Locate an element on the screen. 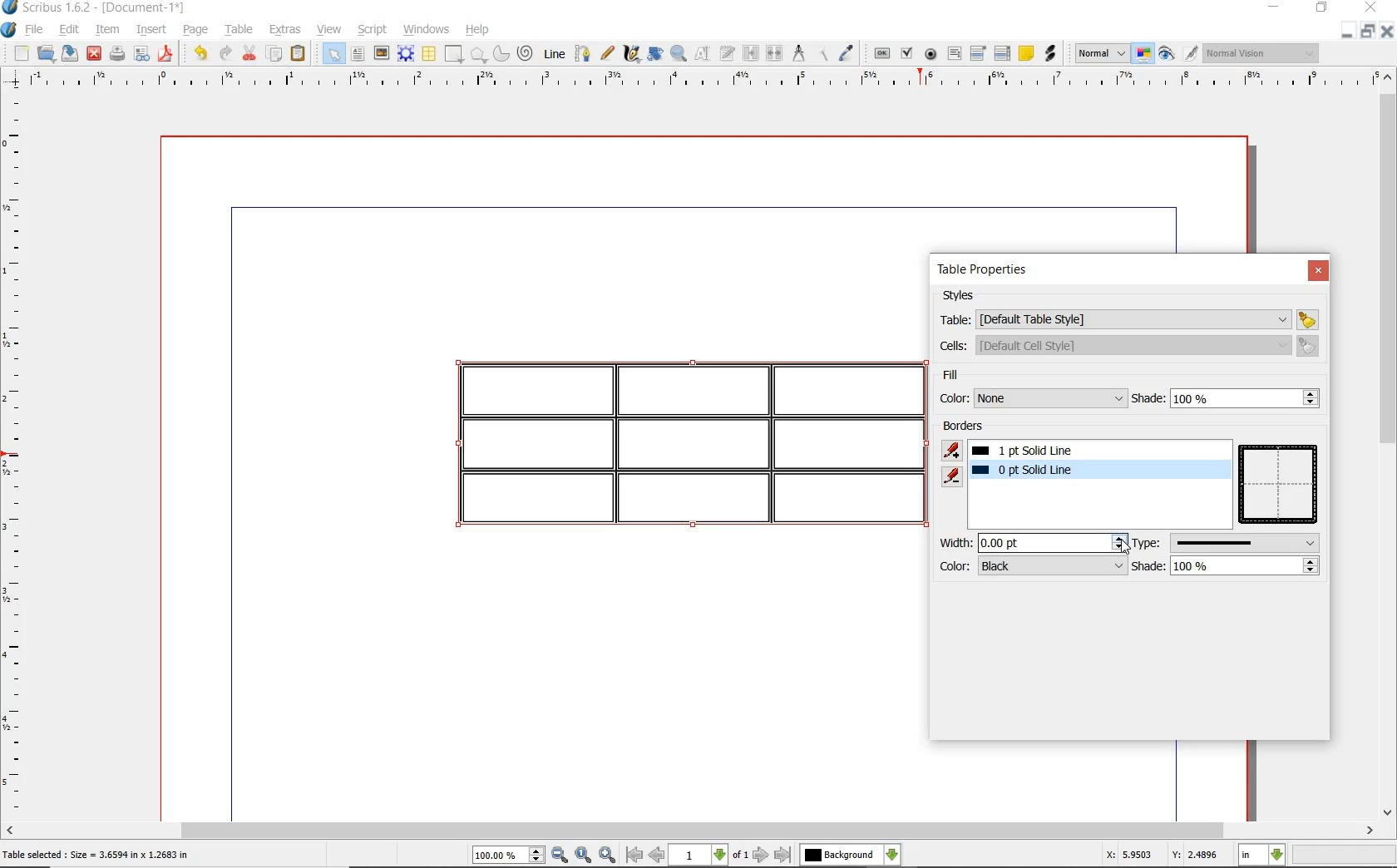 The width and height of the screenshot is (1397, 868). script is located at coordinates (373, 31).